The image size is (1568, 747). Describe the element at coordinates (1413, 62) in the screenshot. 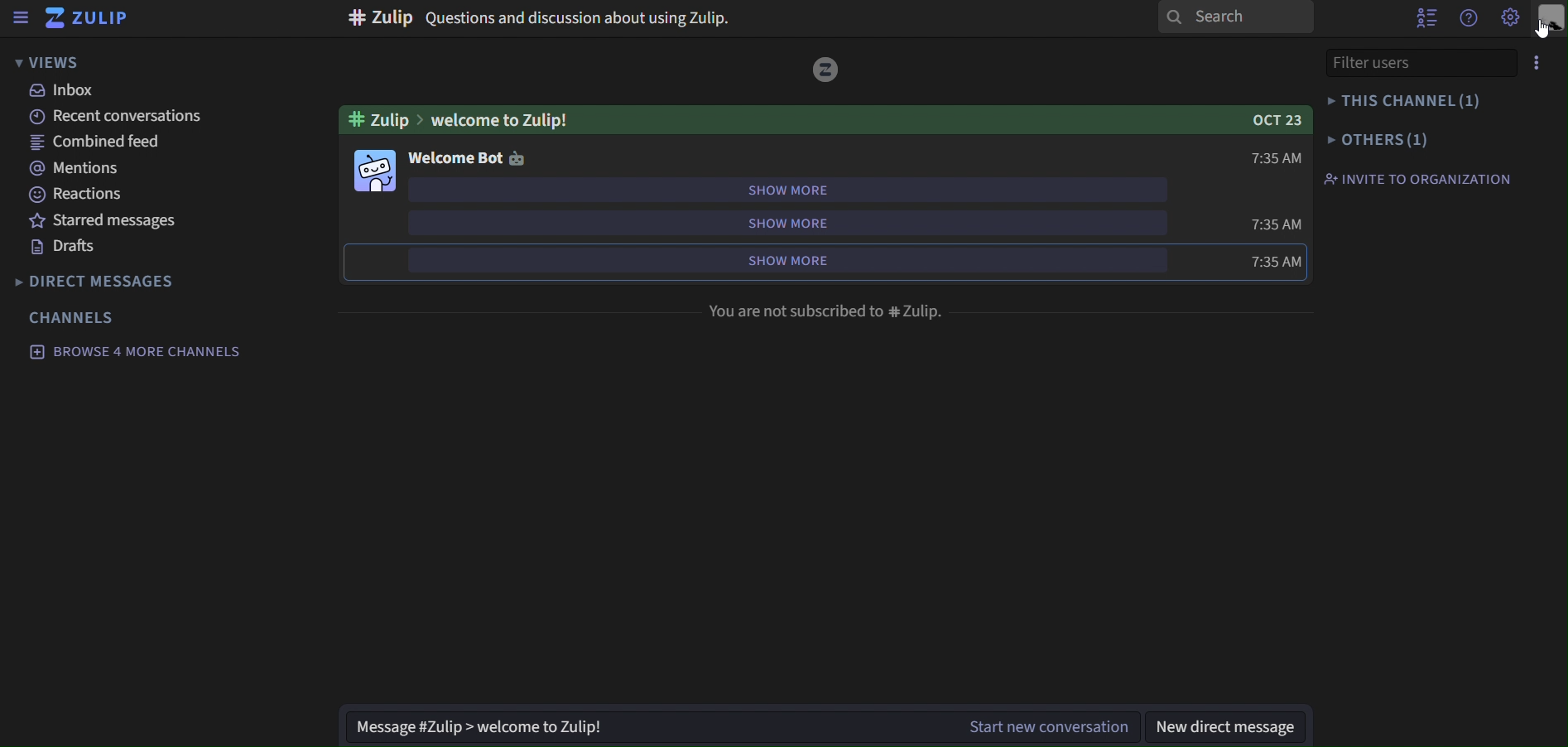

I see `filter users` at that location.